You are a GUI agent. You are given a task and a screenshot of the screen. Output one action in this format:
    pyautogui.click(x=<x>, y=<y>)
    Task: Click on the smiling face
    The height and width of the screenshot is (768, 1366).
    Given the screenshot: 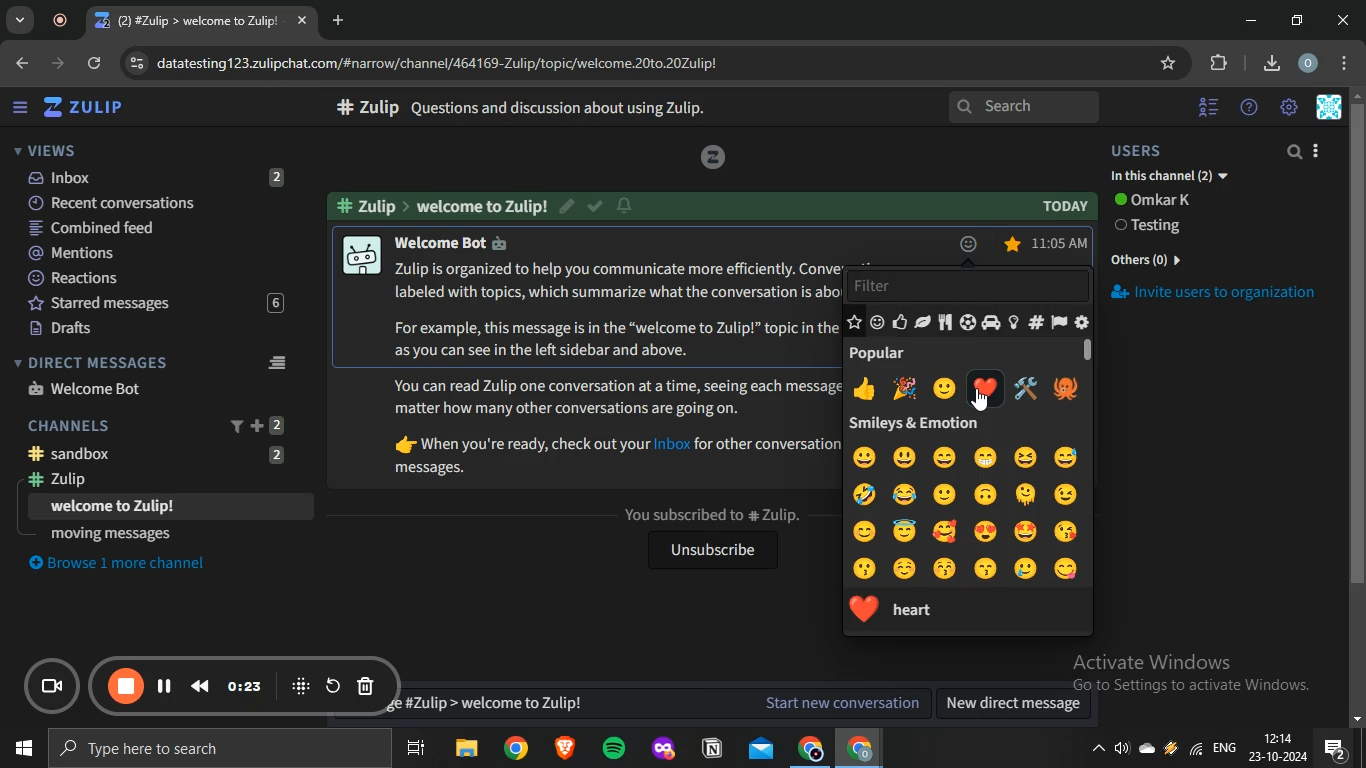 What is the action you would take?
    pyautogui.click(x=904, y=568)
    